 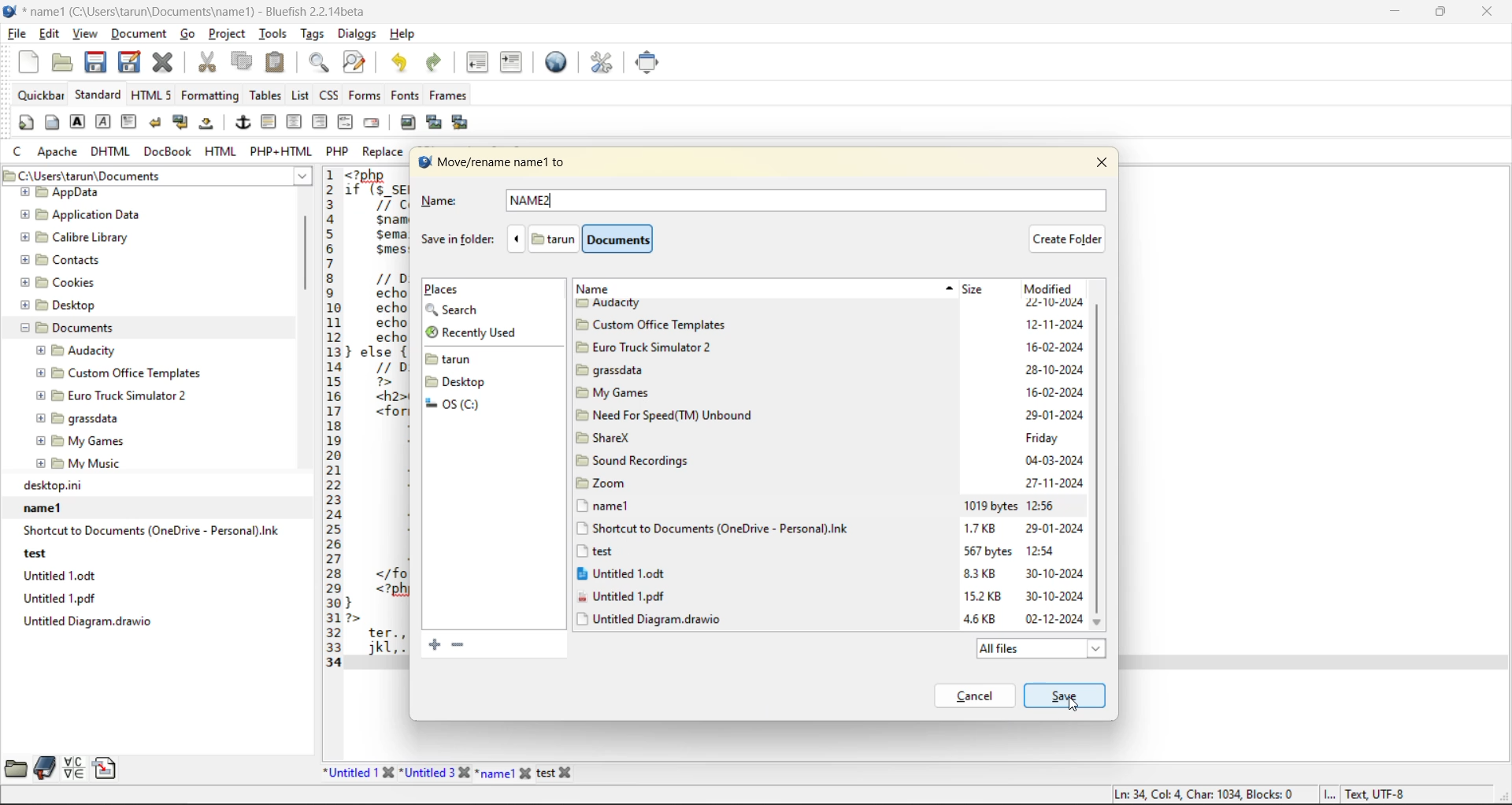 I want to click on center, so click(x=292, y=123).